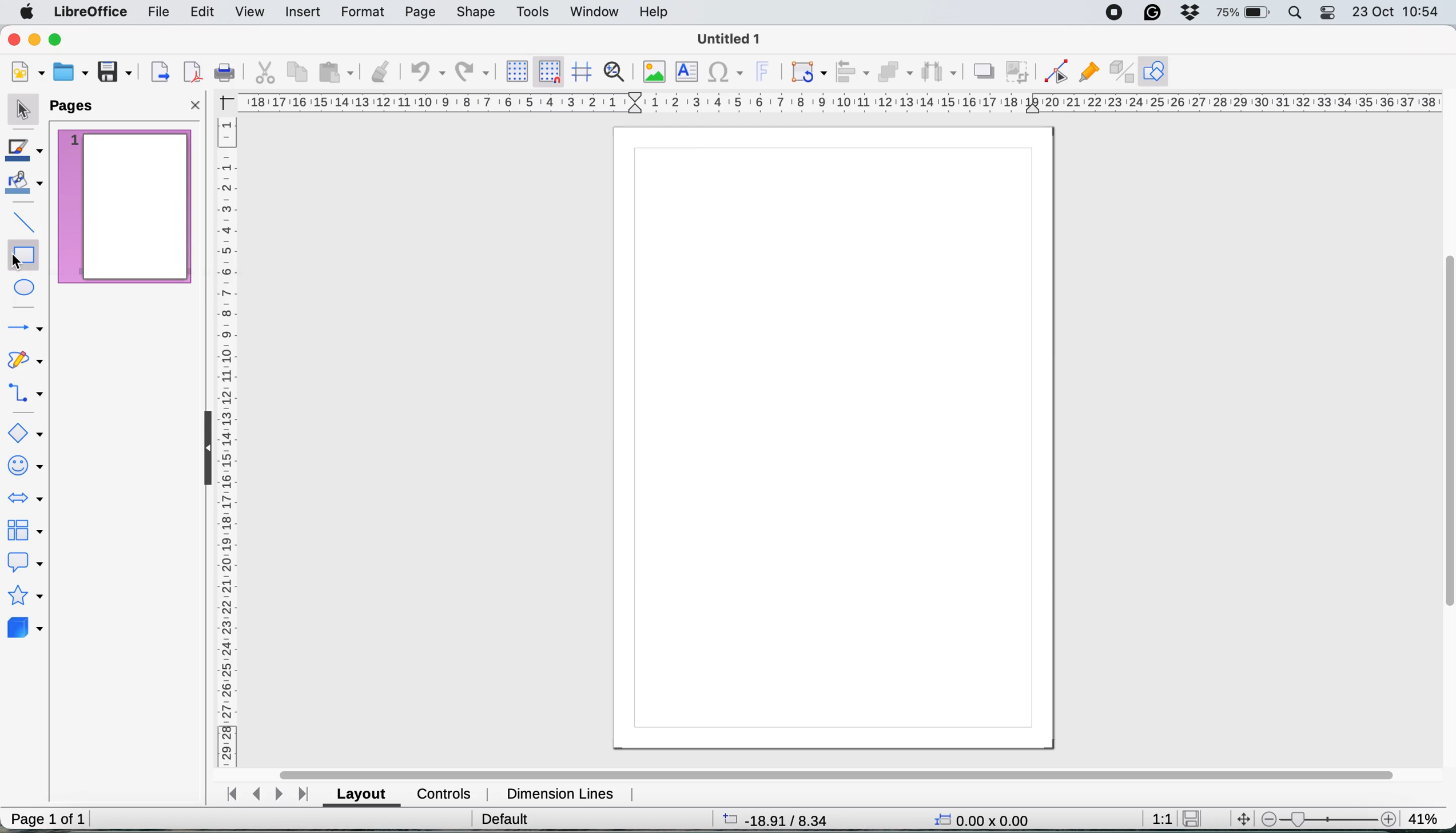 This screenshot has height=833, width=1456. I want to click on navigate between sheets, so click(270, 795).